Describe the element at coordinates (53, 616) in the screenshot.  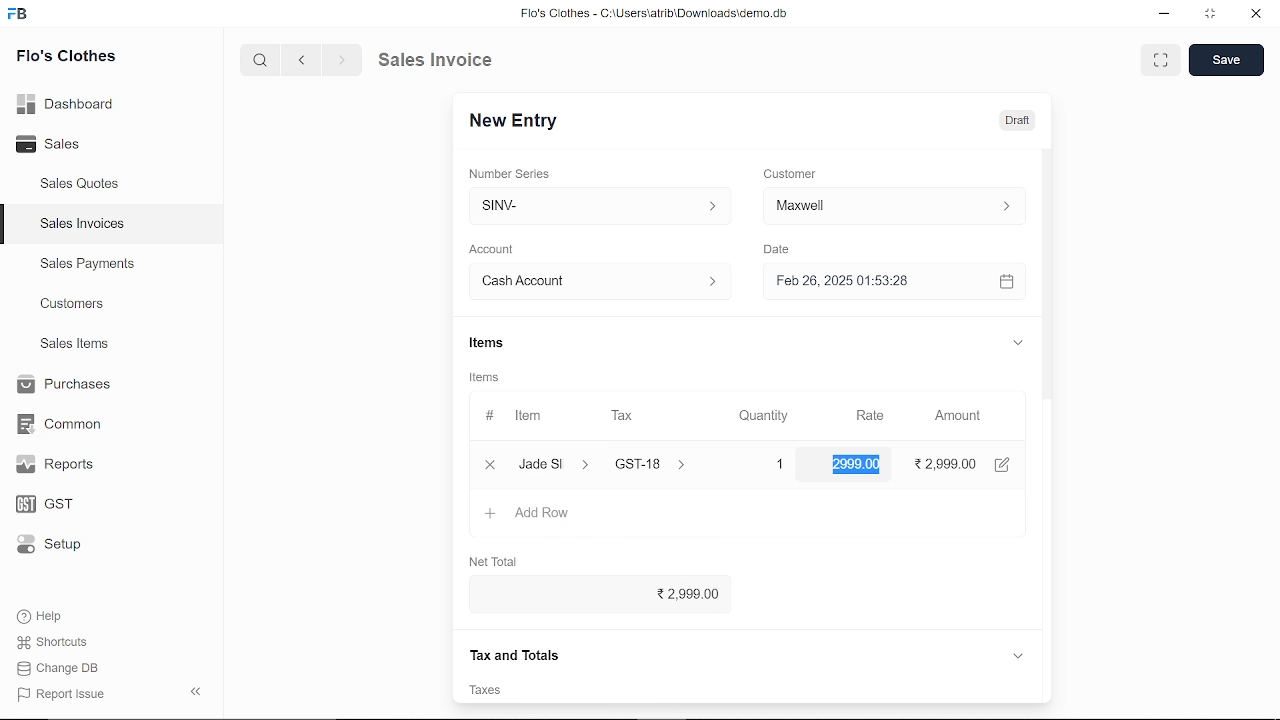
I see `Help` at that location.